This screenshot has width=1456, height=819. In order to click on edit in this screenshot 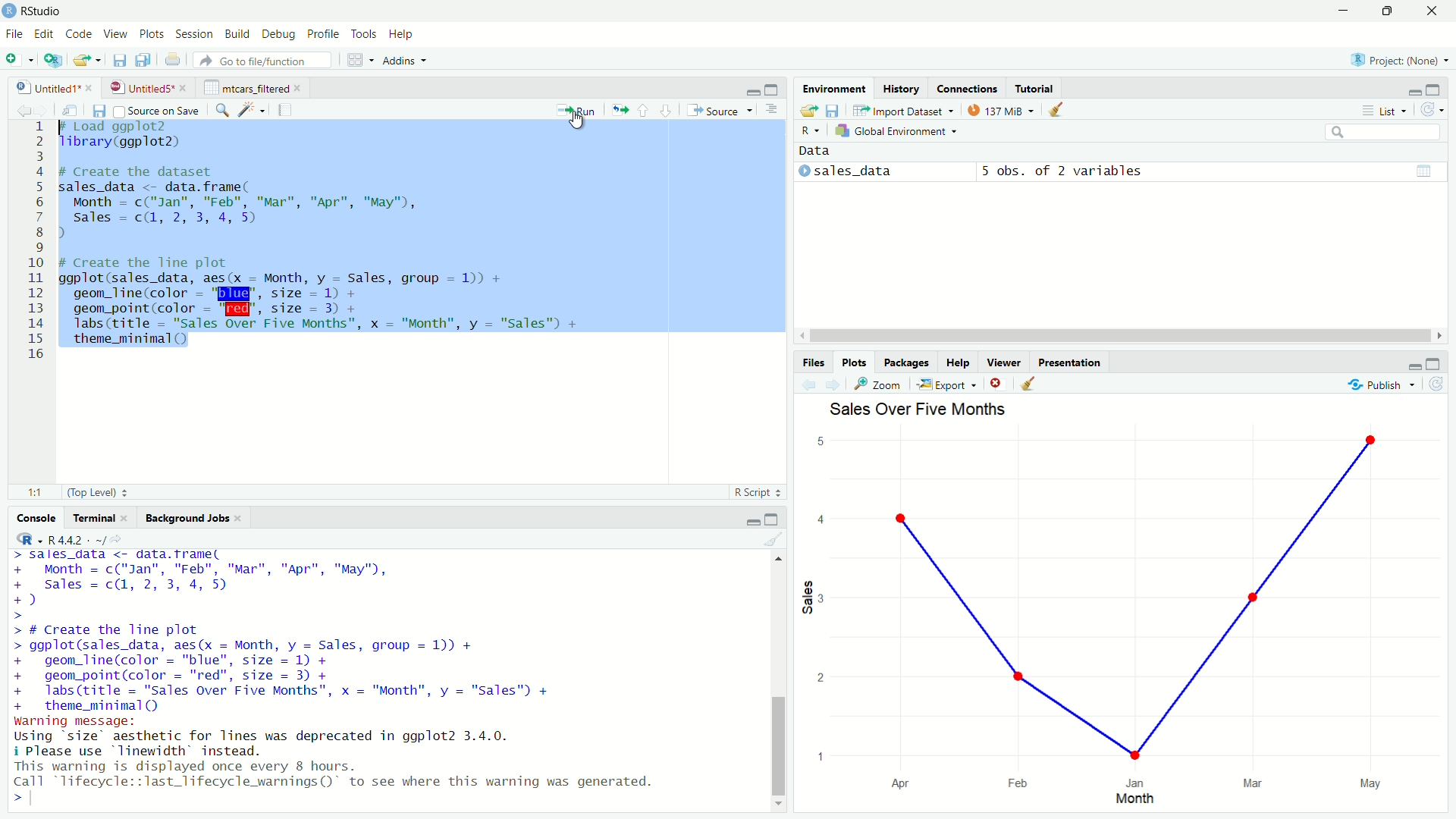, I will do `click(45, 34)`.